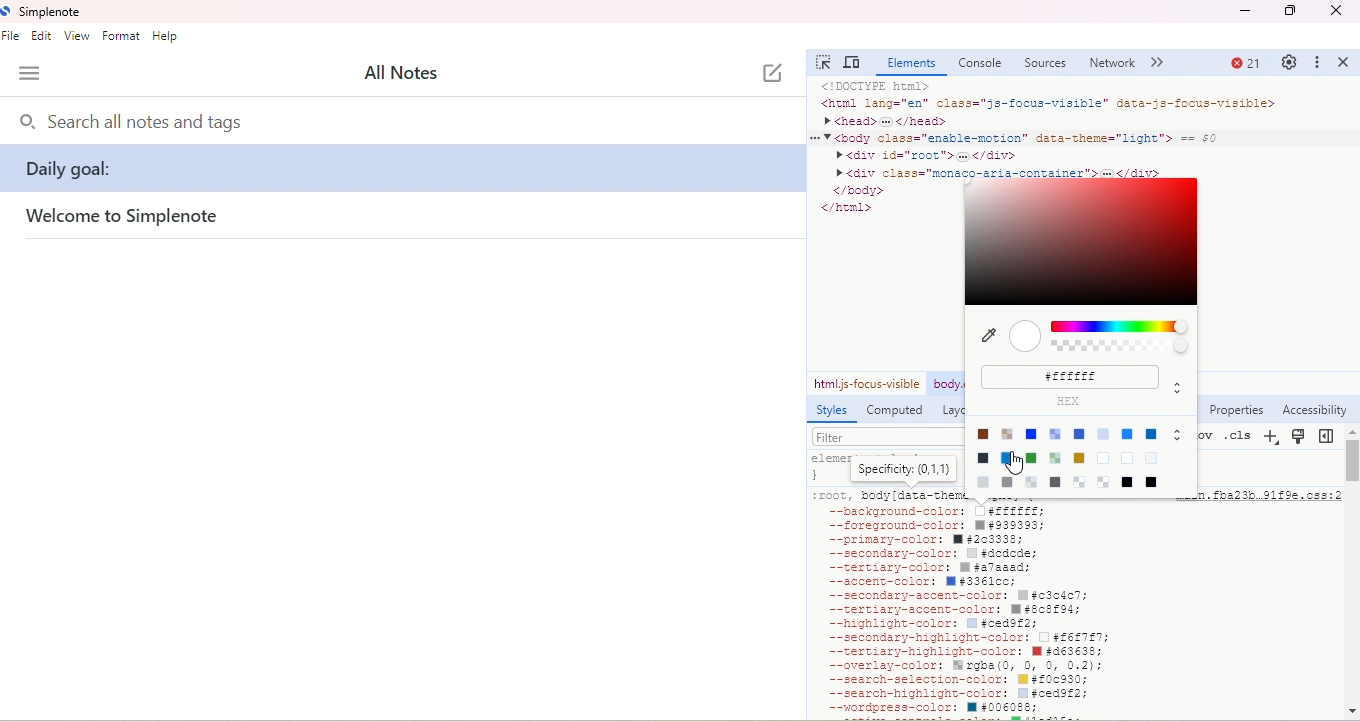  What do you see at coordinates (958, 638) in the screenshot?
I see `secondary highlight color` at bounding box center [958, 638].